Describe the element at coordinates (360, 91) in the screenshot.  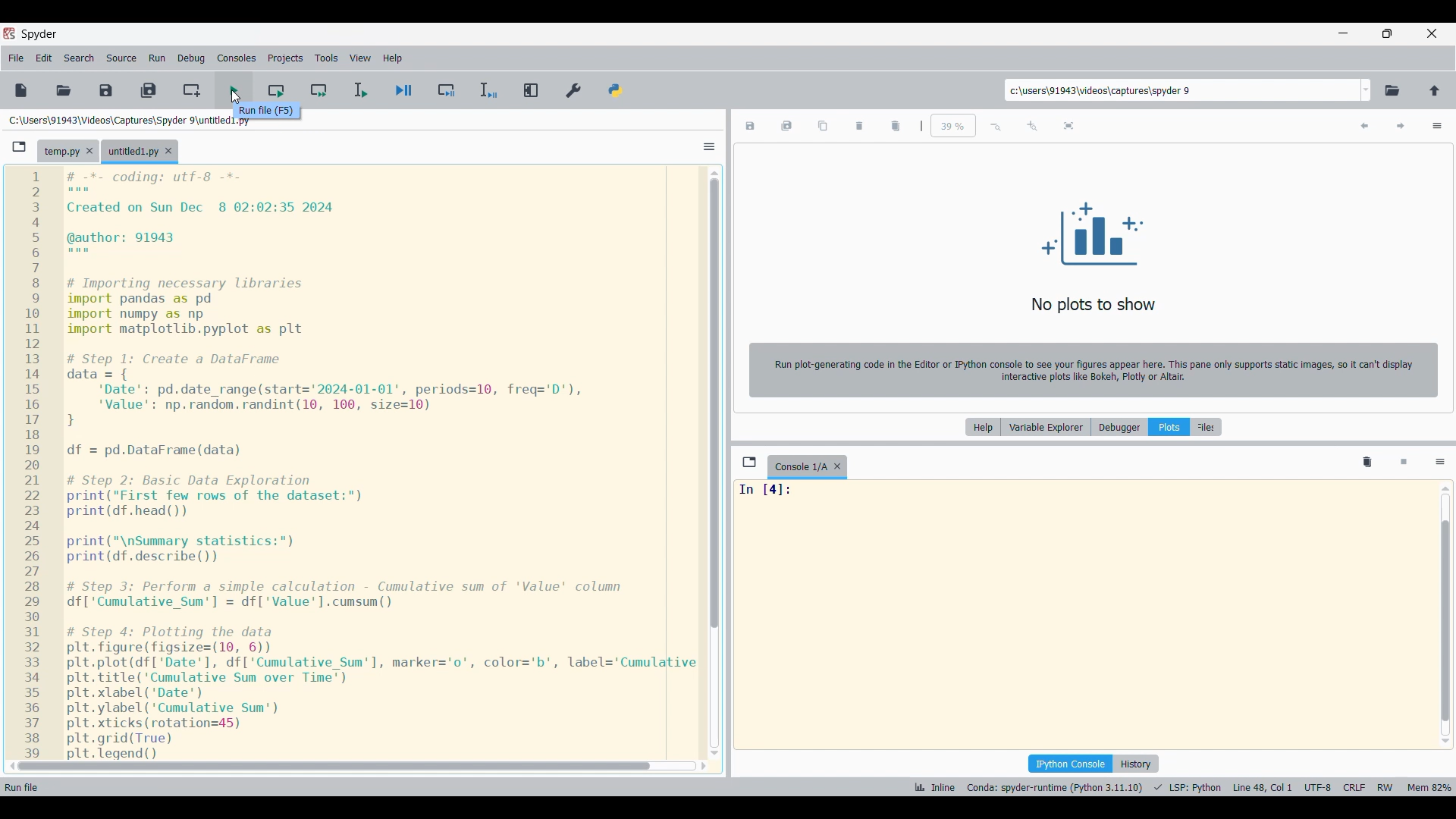
I see `Run selection/current line` at that location.